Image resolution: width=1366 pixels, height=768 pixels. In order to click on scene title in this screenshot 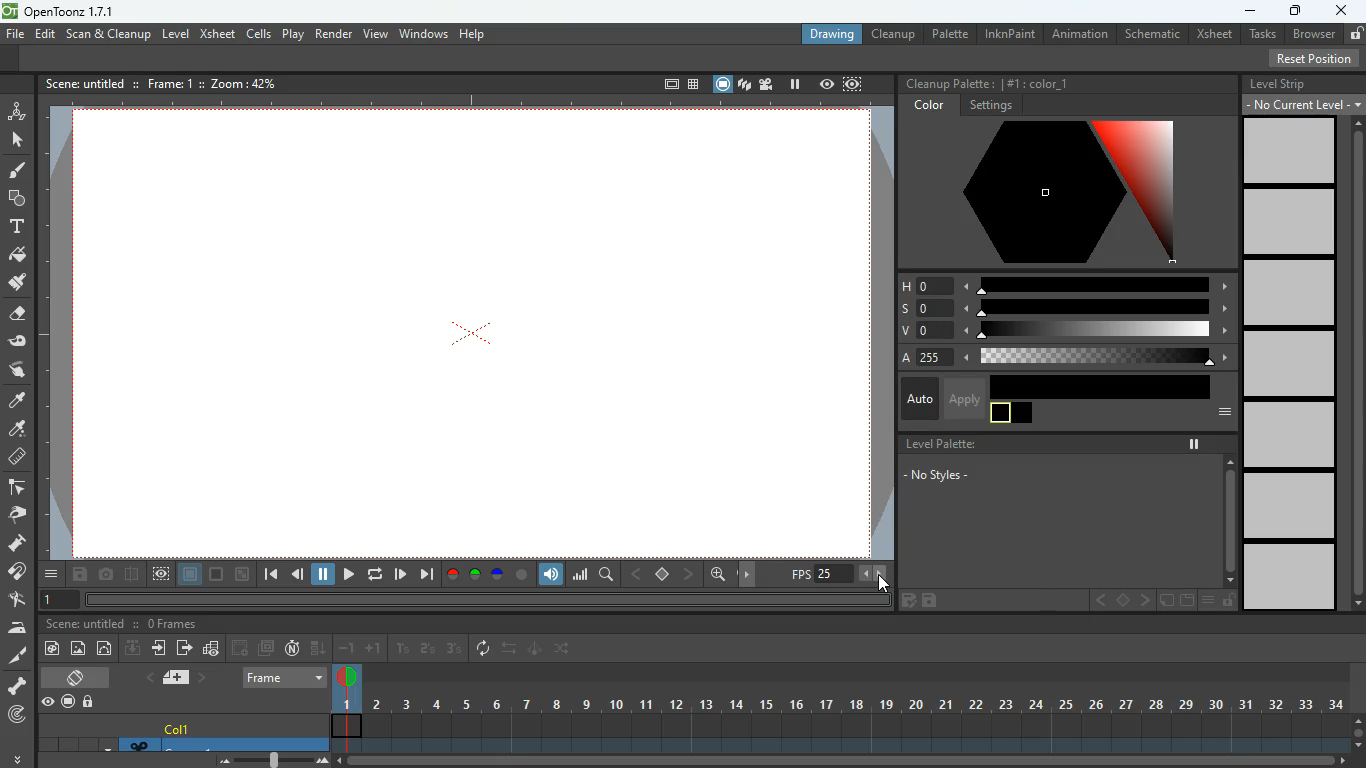, I will do `click(85, 622)`.